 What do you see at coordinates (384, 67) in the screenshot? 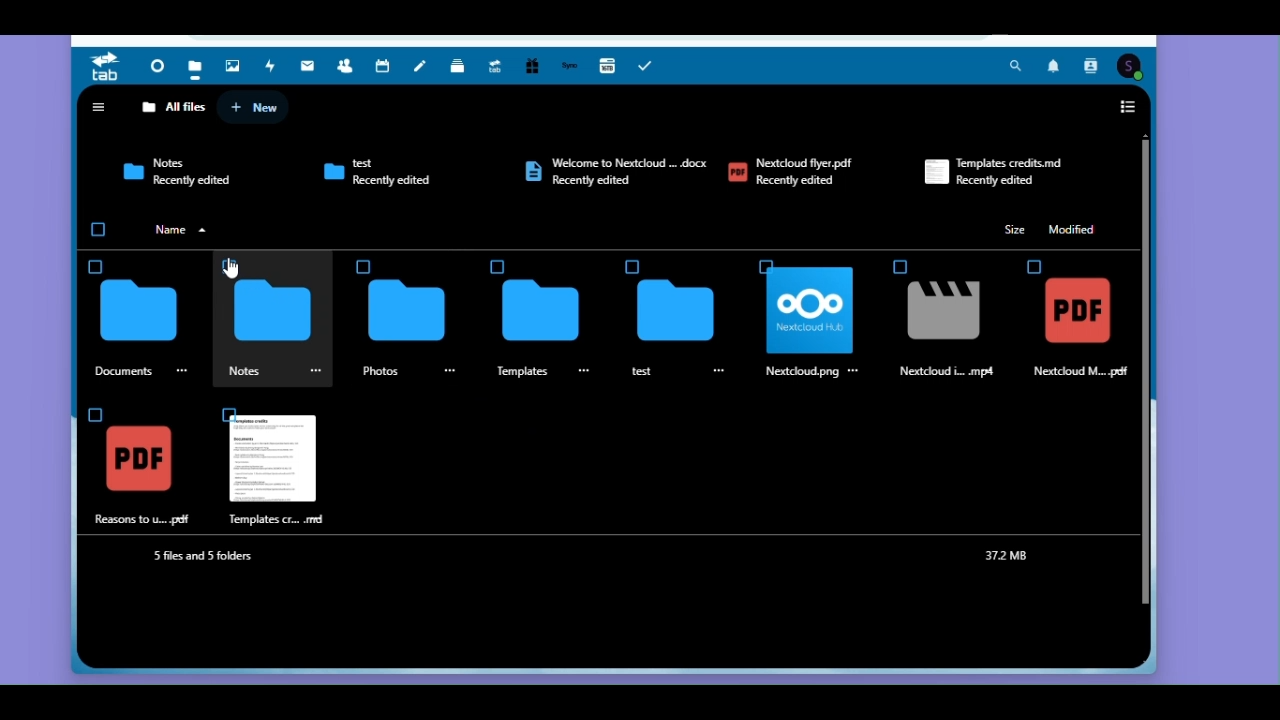
I see `Calendar` at bounding box center [384, 67].